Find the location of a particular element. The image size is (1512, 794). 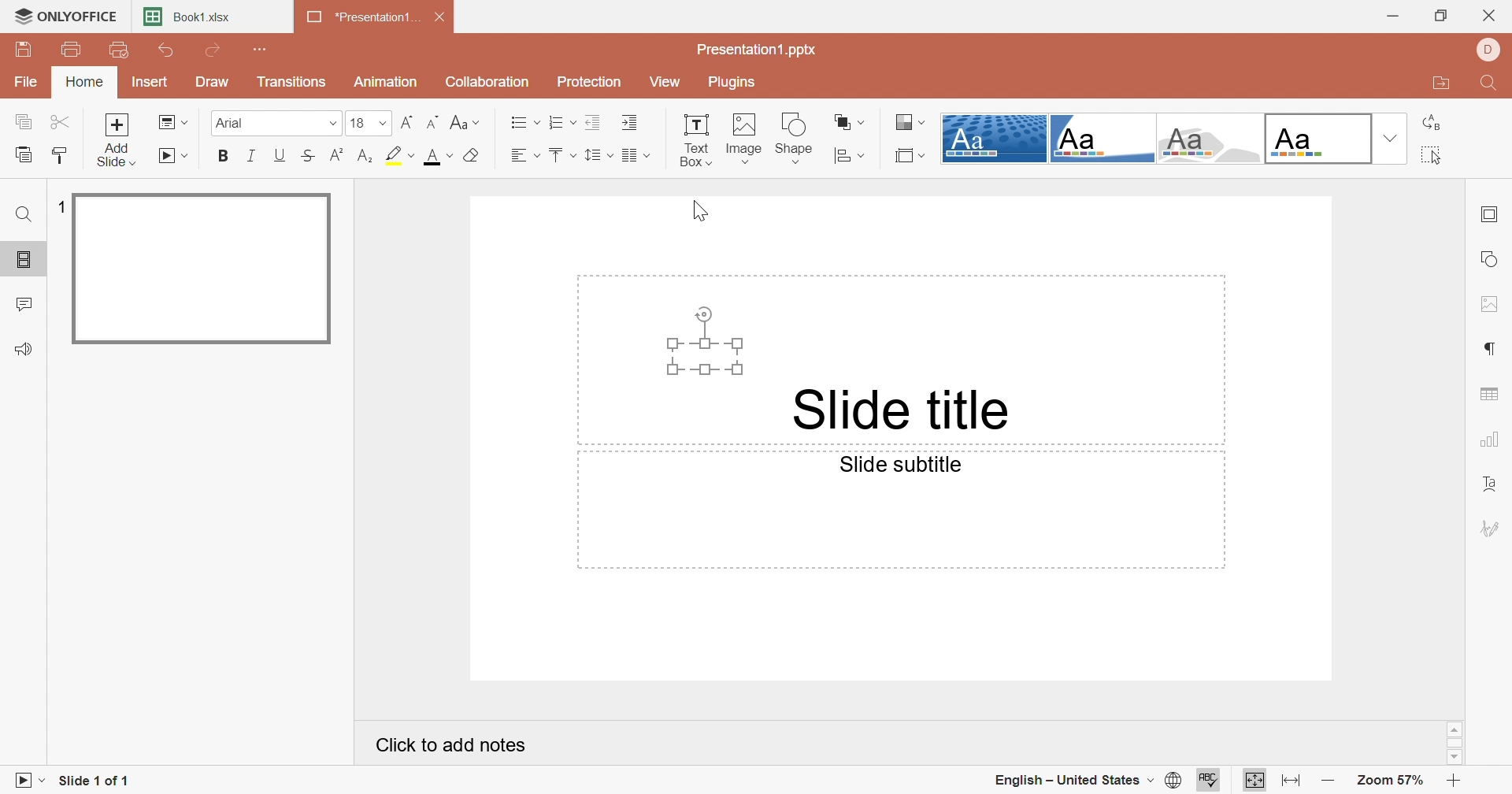

Image is located at coordinates (746, 126).